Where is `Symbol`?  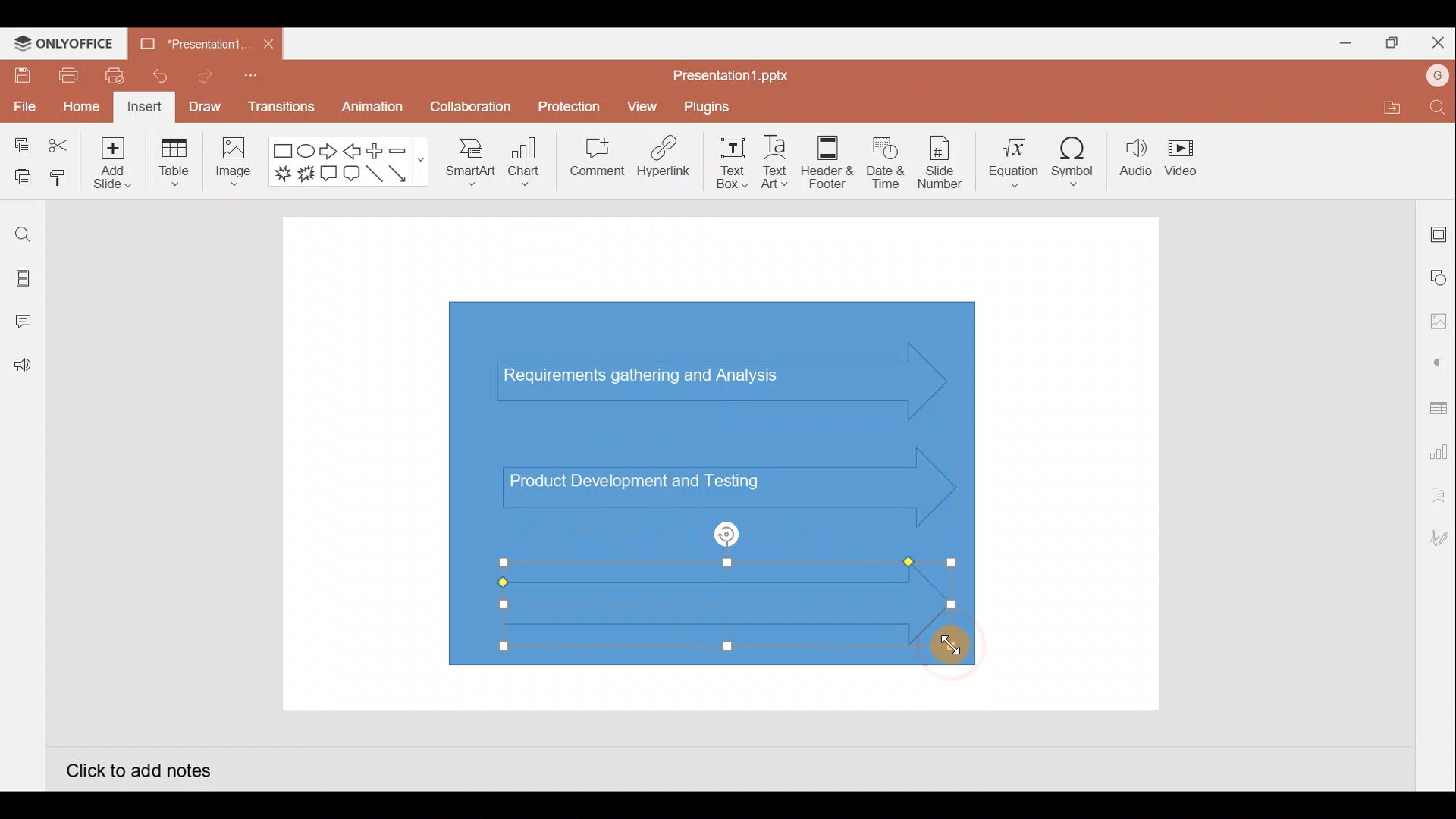 Symbol is located at coordinates (1074, 158).